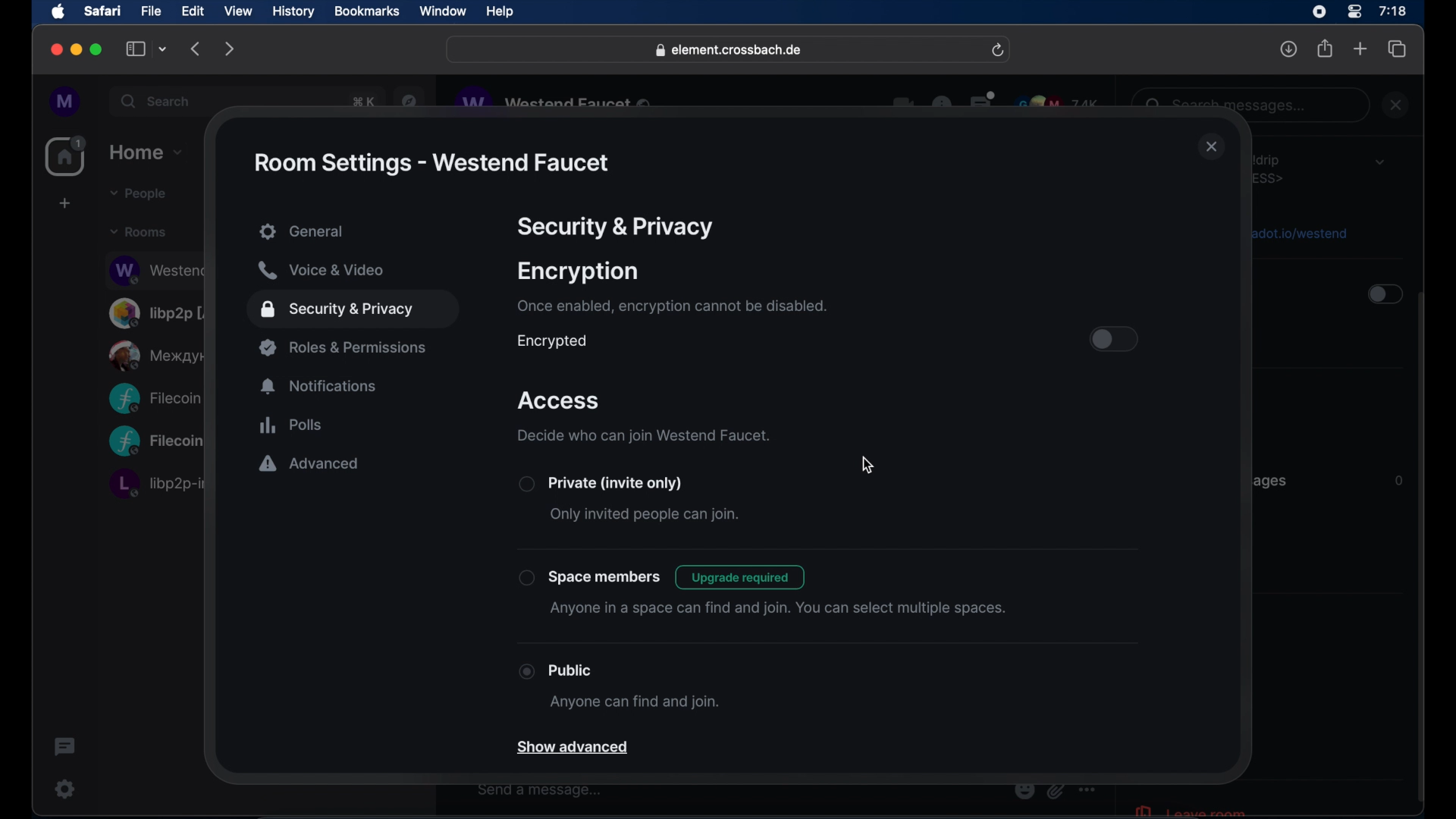 The width and height of the screenshot is (1456, 819). What do you see at coordinates (409, 99) in the screenshot?
I see `navigation` at bounding box center [409, 99].